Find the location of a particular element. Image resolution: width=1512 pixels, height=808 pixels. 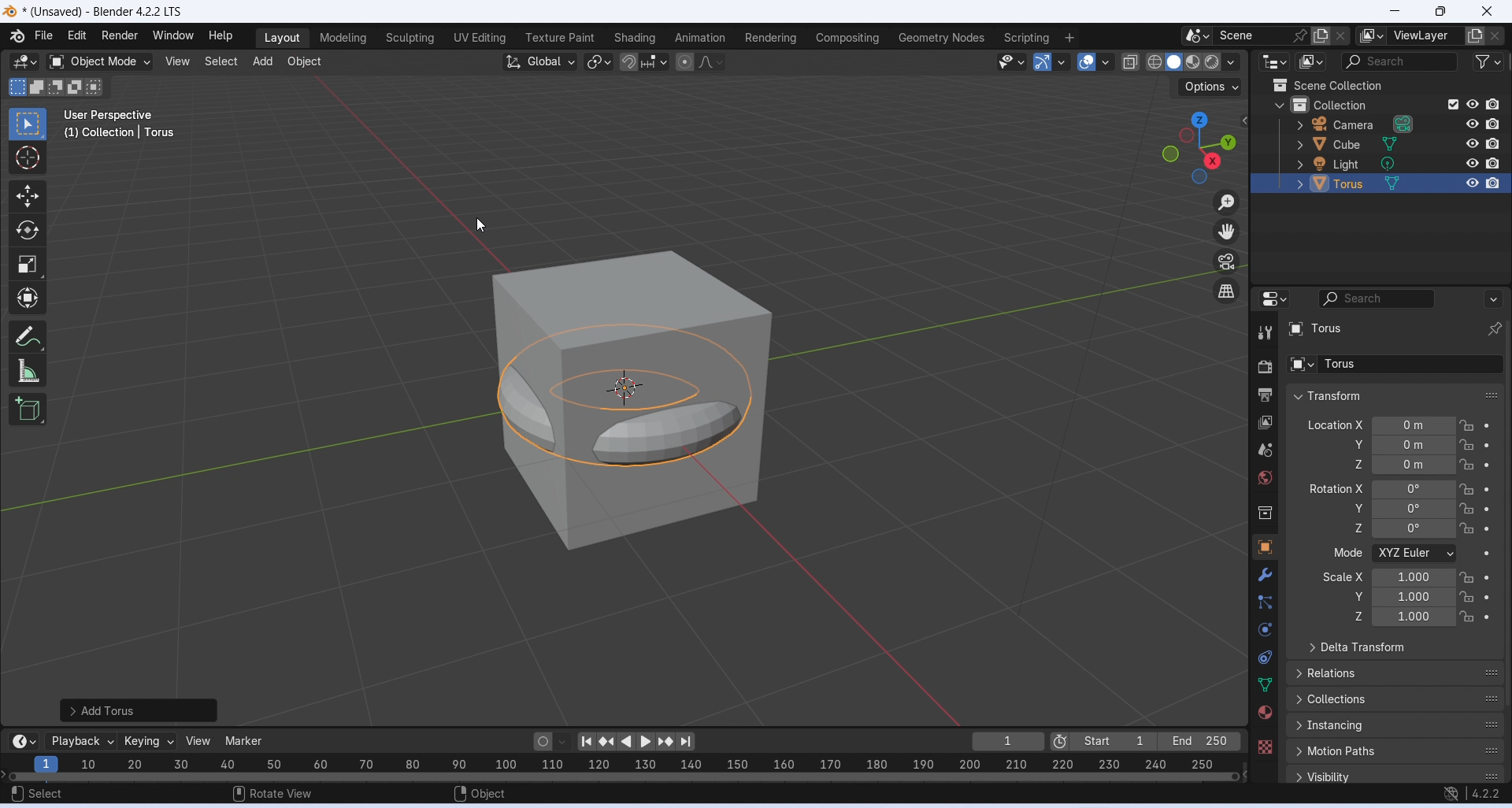

Filter is located at coordinates (1484, 61).